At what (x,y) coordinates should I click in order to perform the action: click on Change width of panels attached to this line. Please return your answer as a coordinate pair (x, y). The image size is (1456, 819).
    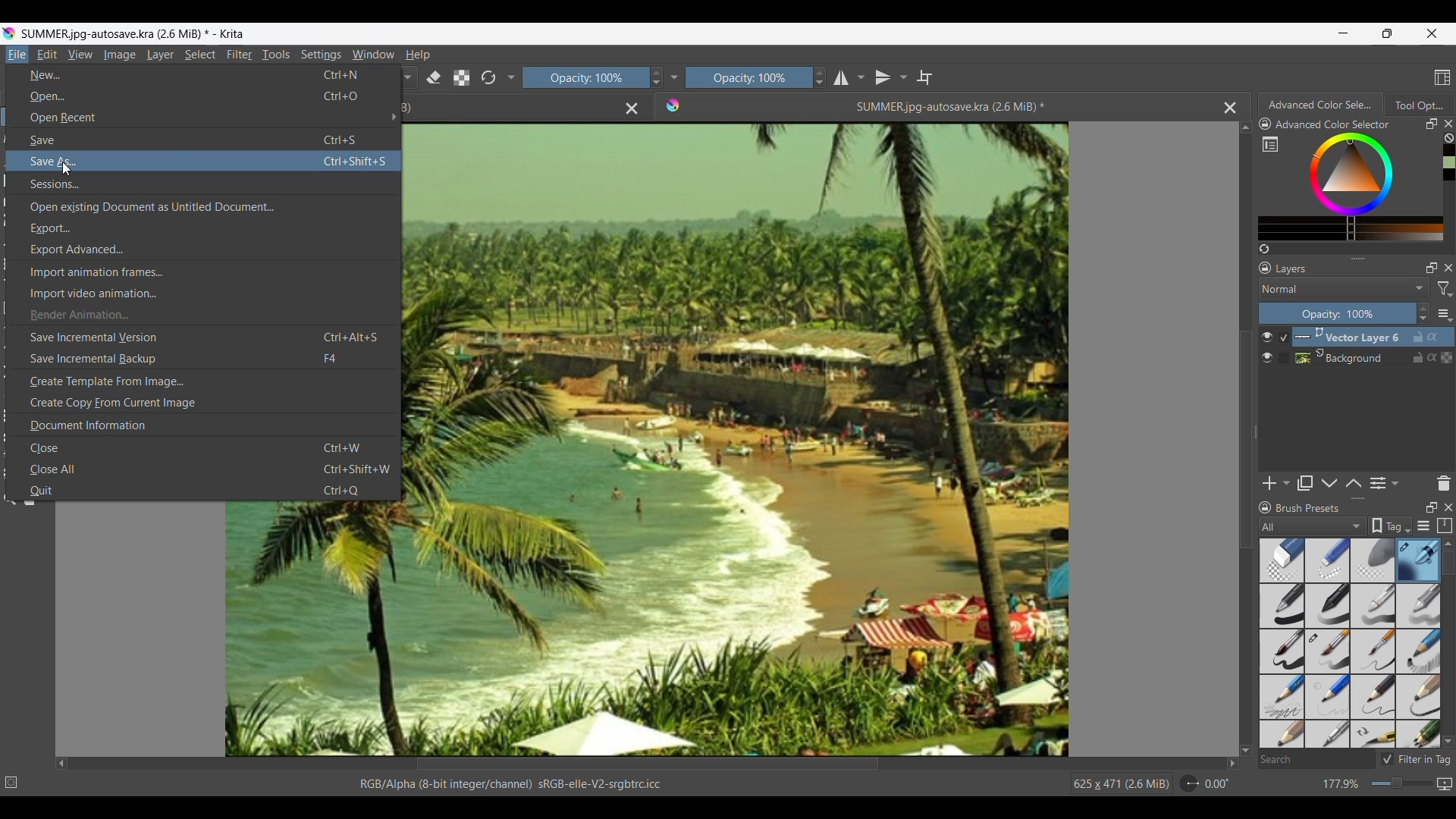
    Looking at the image, I should click on (1254, 453).